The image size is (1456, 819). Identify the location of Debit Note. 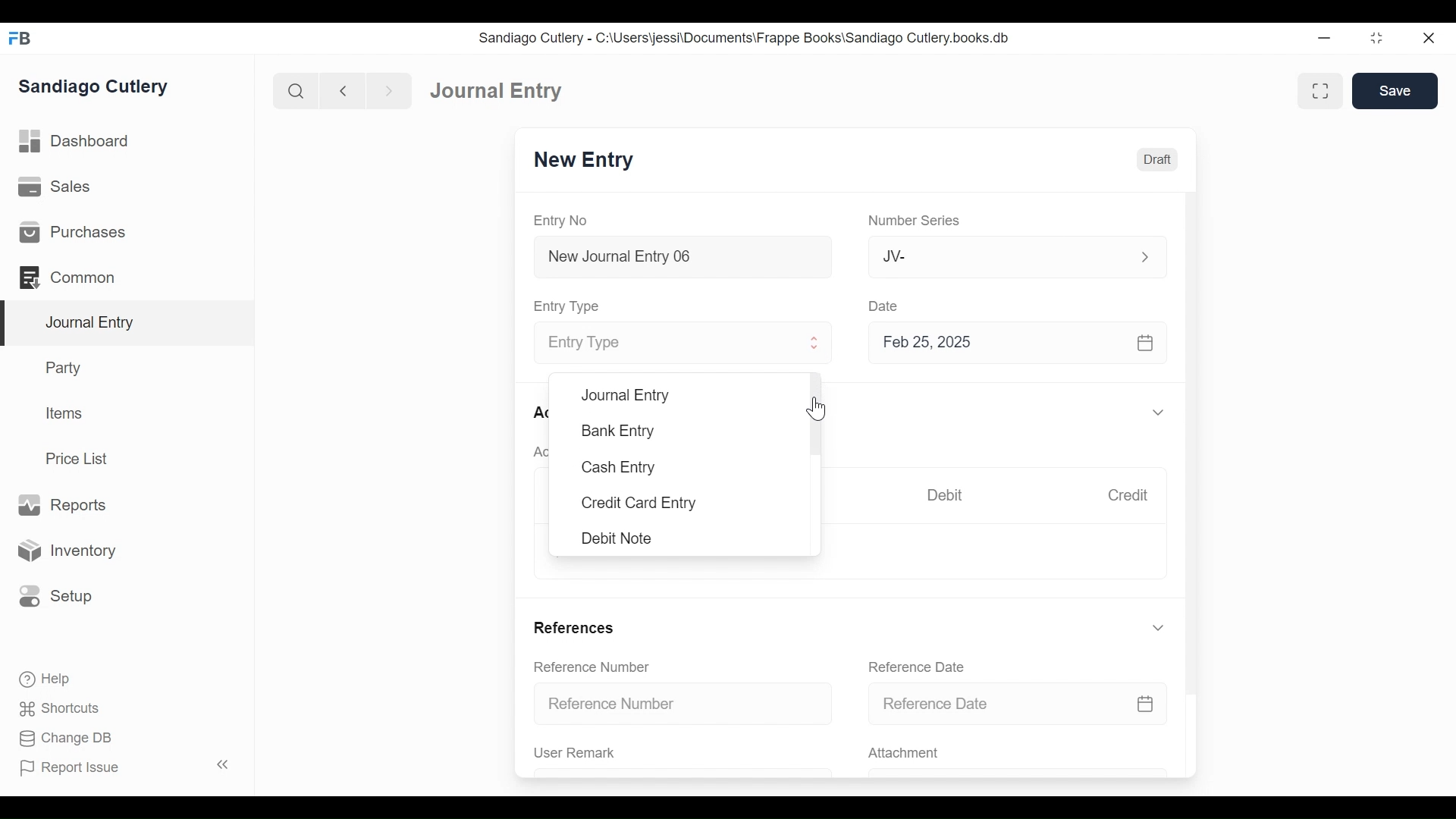
(619, 538).